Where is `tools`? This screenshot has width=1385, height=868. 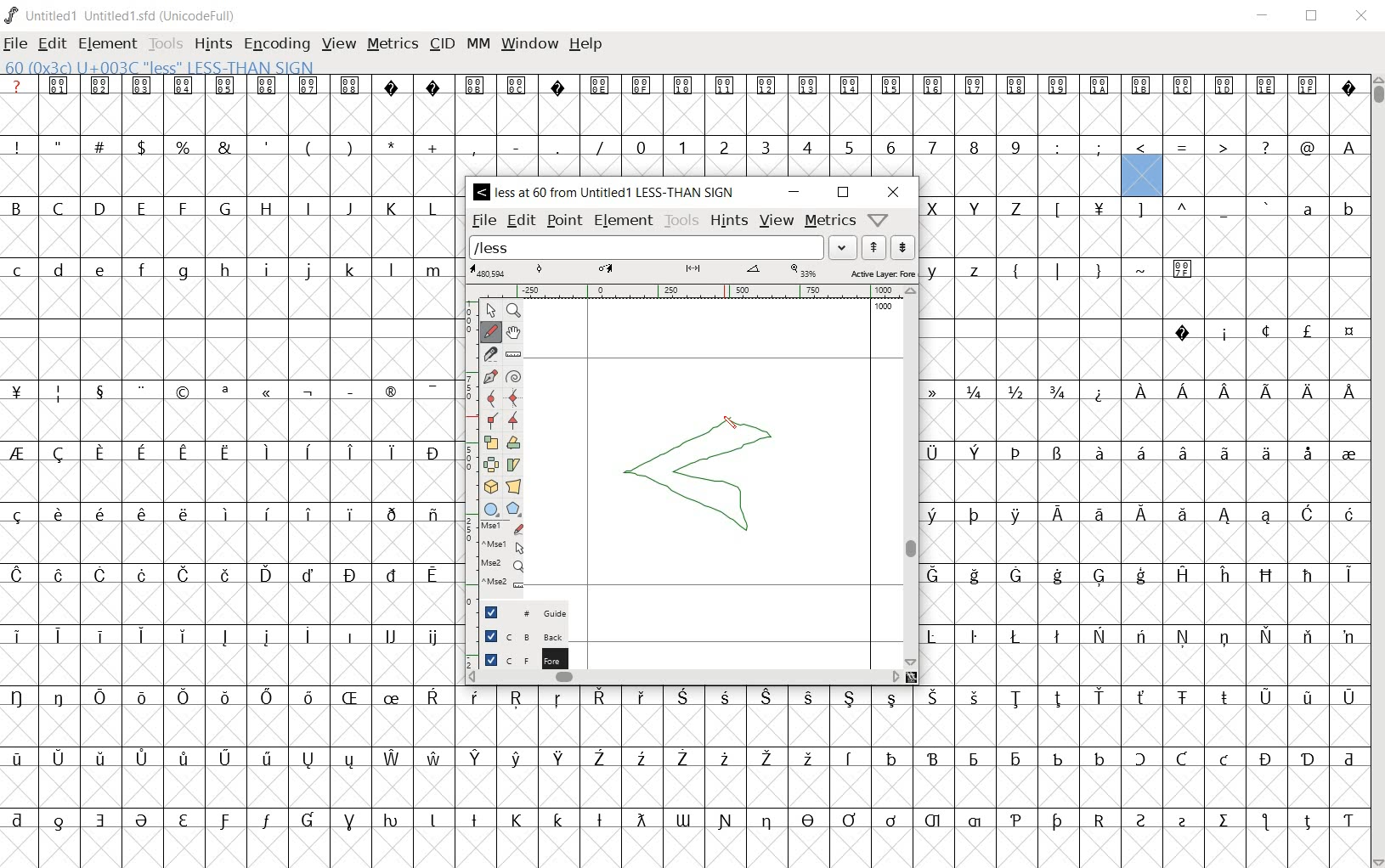 tools is located at coordinates (166, 42).